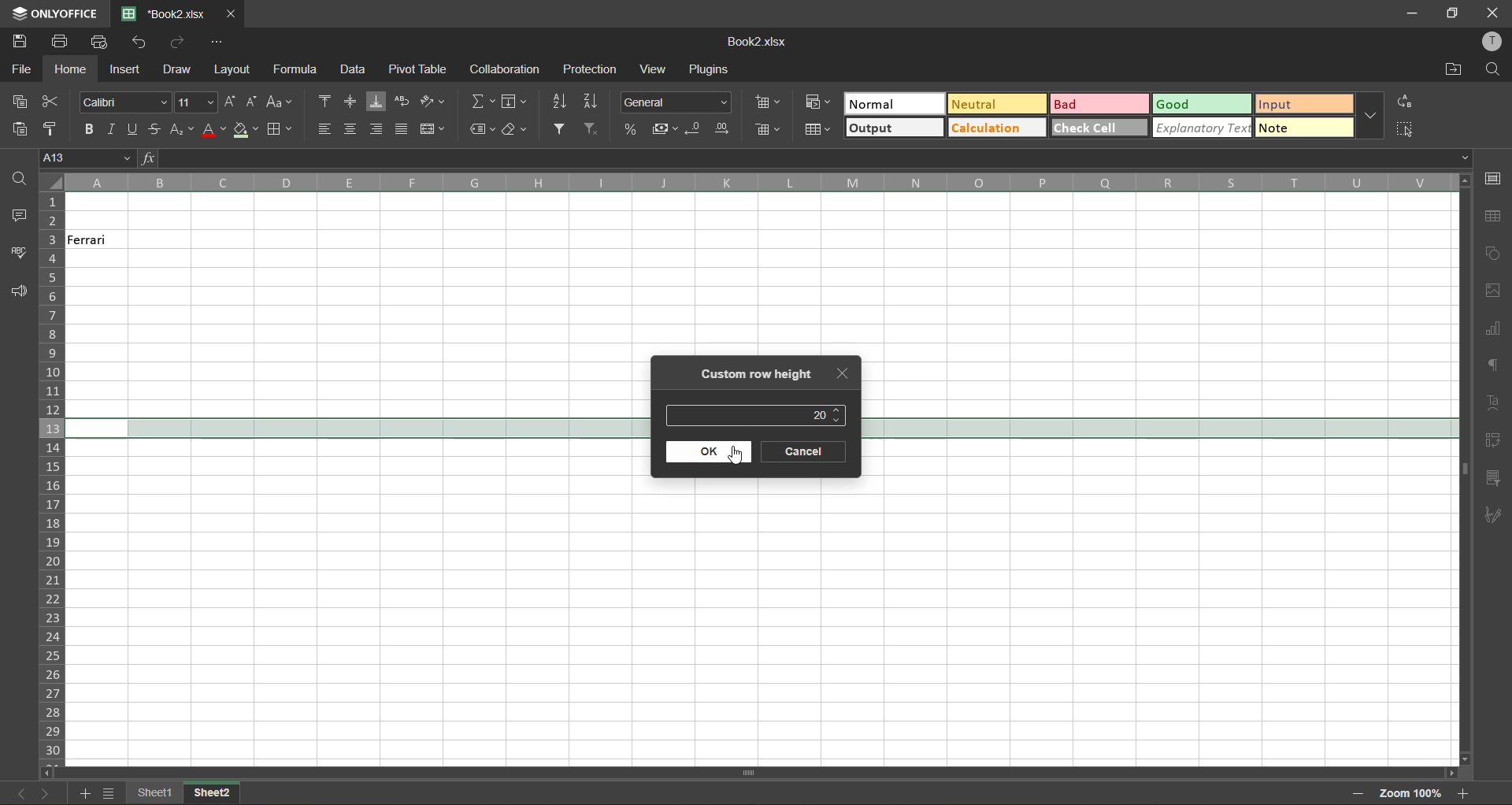  What do you see at coordinates (379, 128) in the screenshot?
I see `align right` at bounding box center [379, 128].